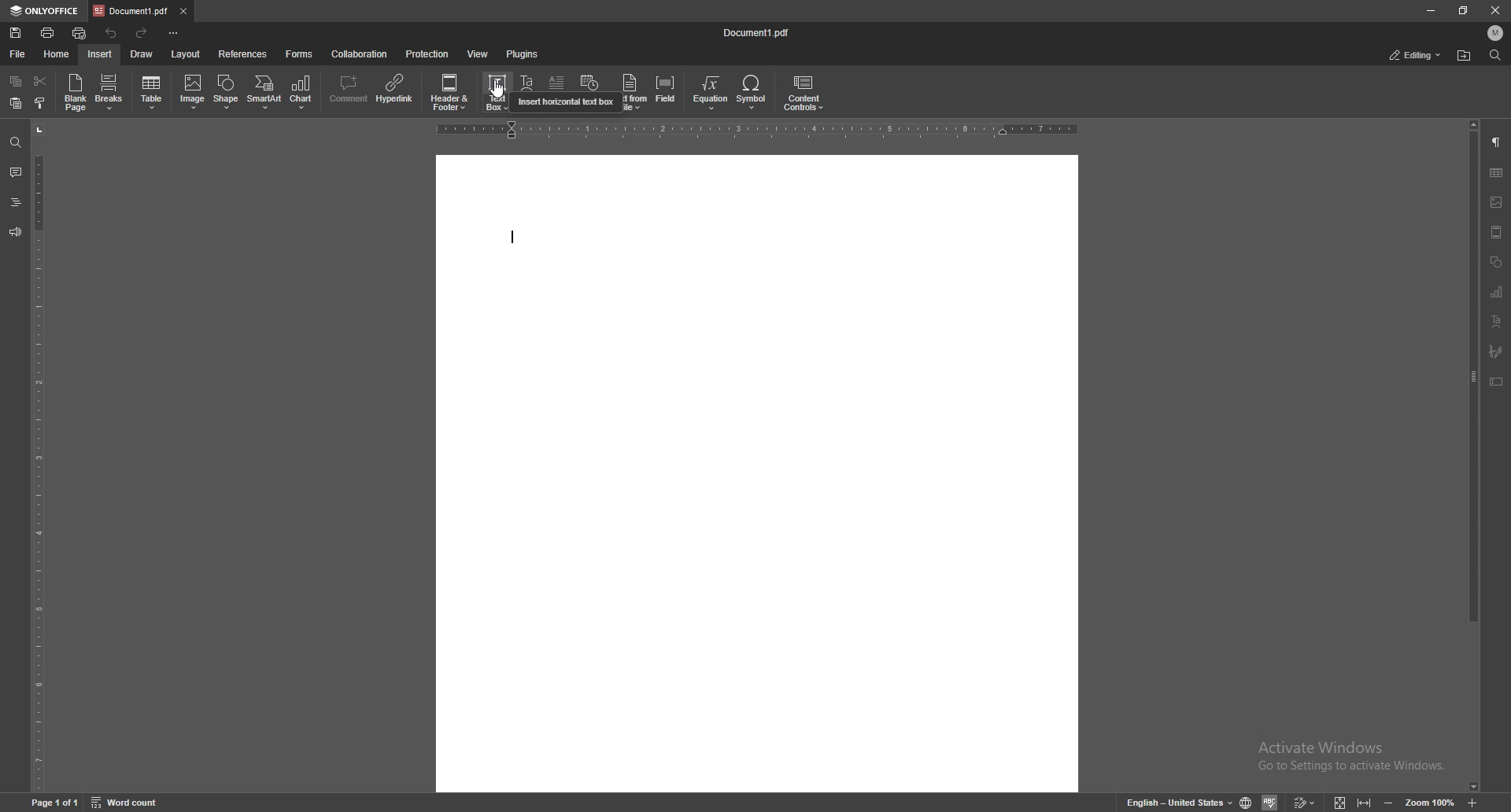 The height and width of the screenshot is (812, 1511). I want to click on customize toolbar, so click(172, 31).